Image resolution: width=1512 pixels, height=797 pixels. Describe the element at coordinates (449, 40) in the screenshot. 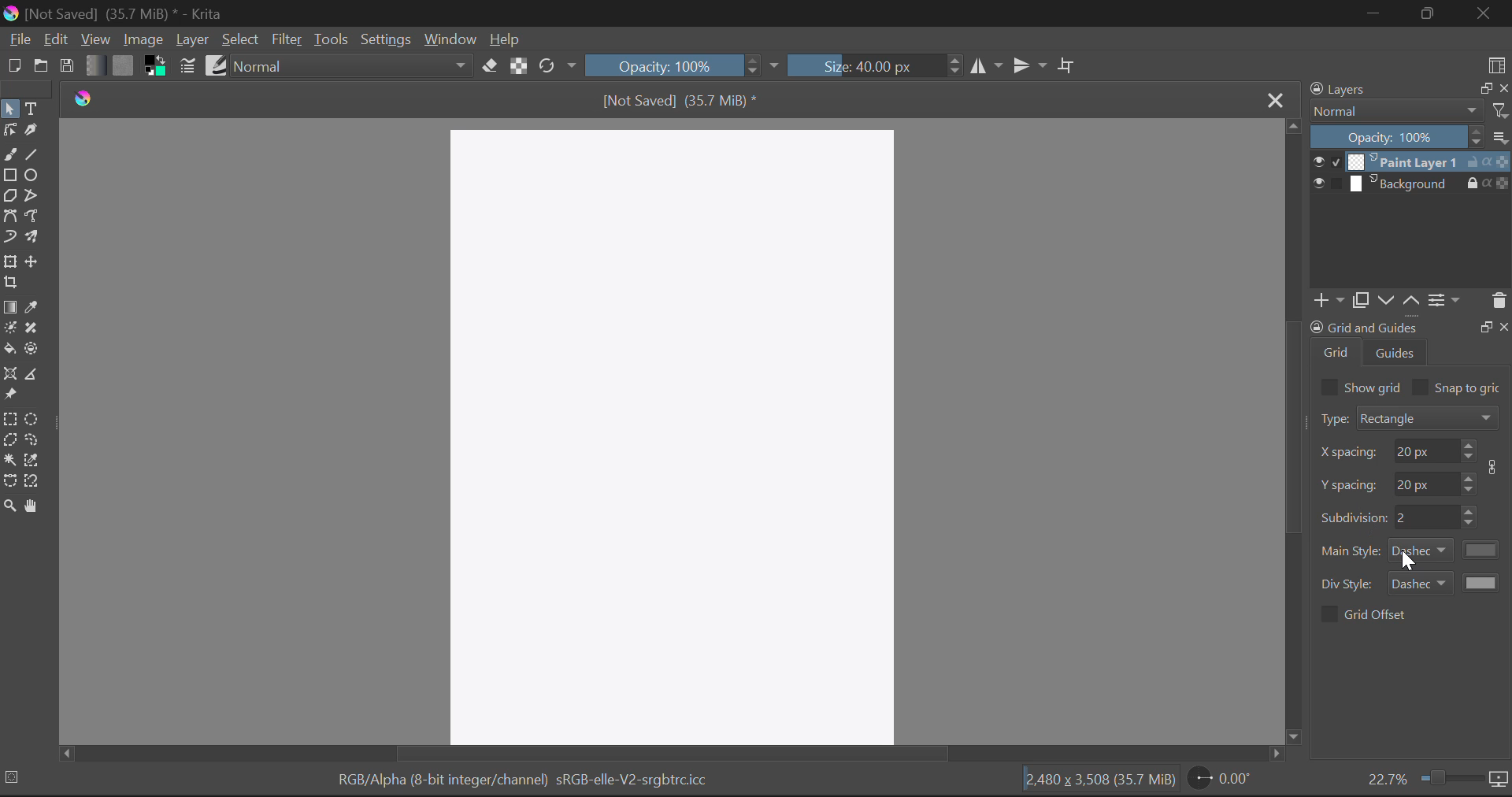

I see `Window` at that location.